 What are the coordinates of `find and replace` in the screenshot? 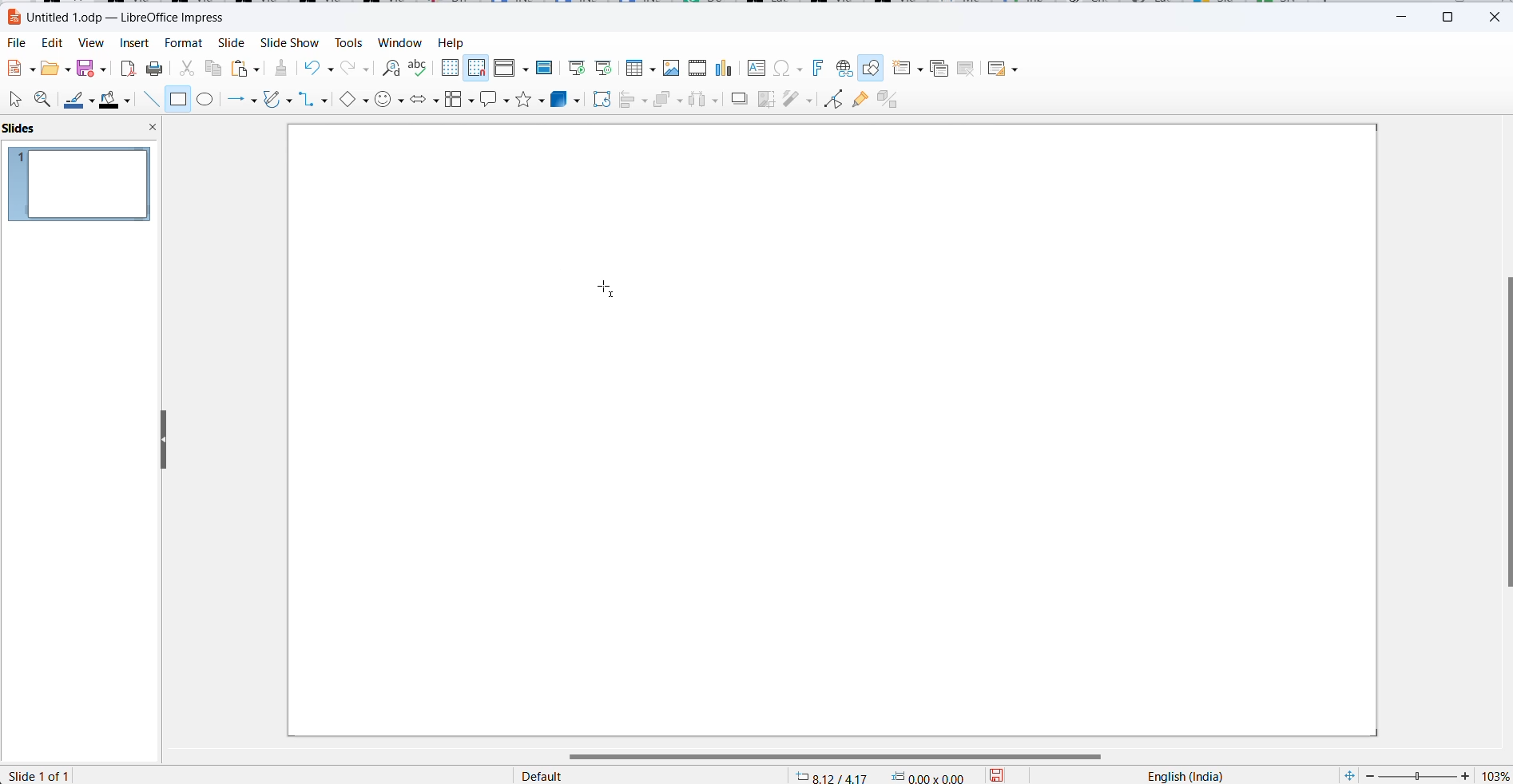 It's located at (389, 66).